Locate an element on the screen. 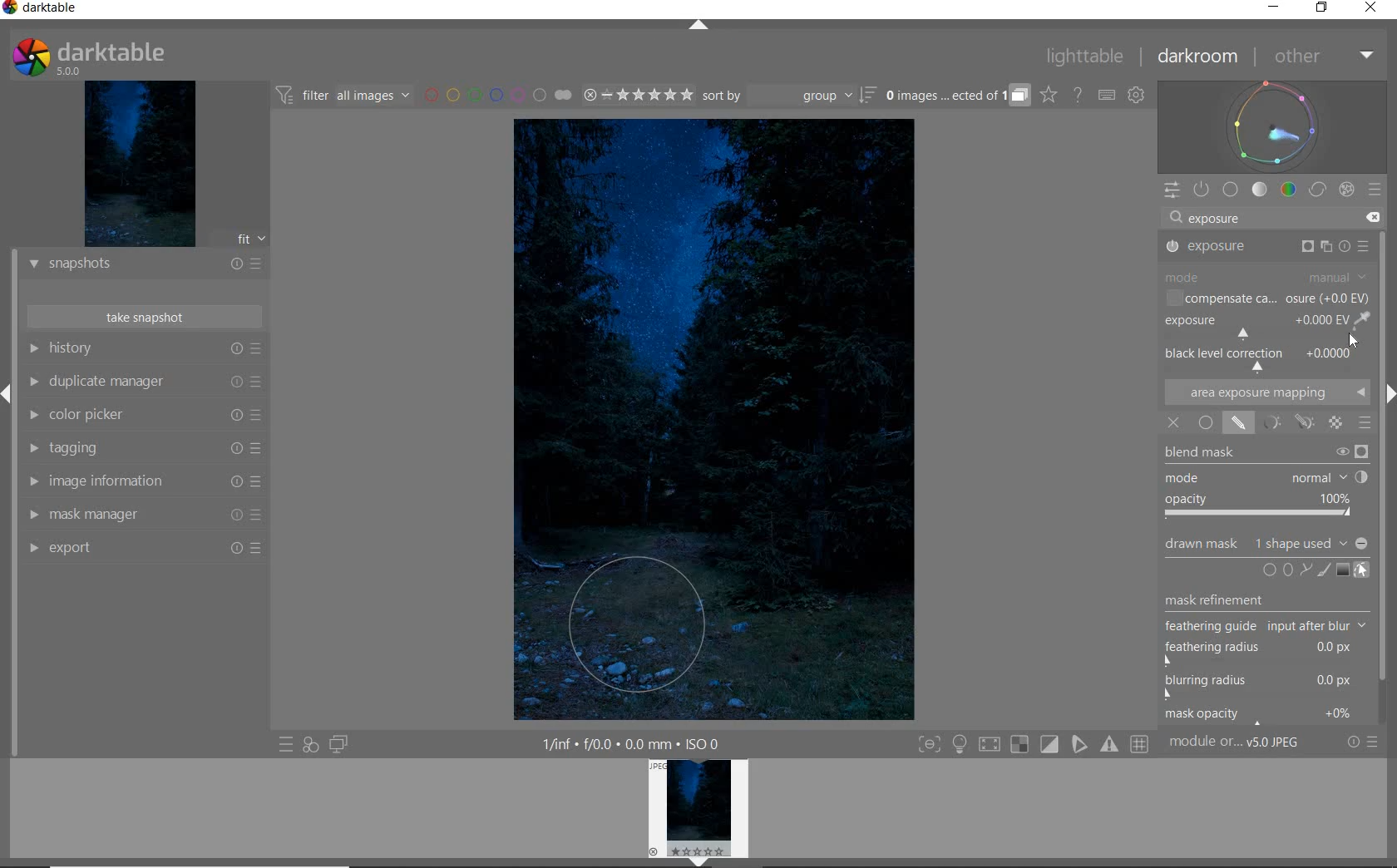 The height and width of the screenshot is (868, 1397). ADD BRUSH is located at coordinates (1324, 569).